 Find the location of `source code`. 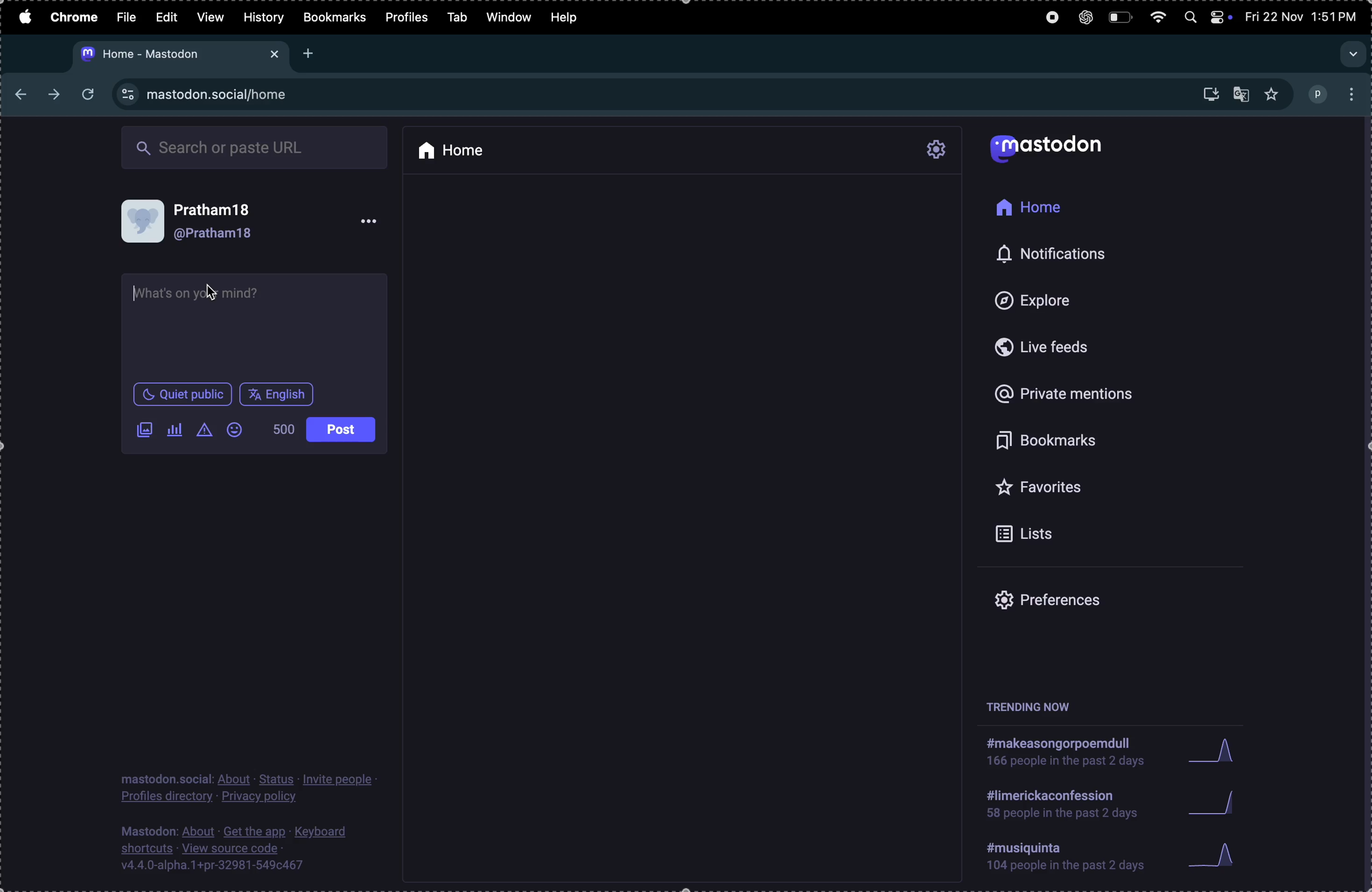

source code is located at coordinates (229, 849).